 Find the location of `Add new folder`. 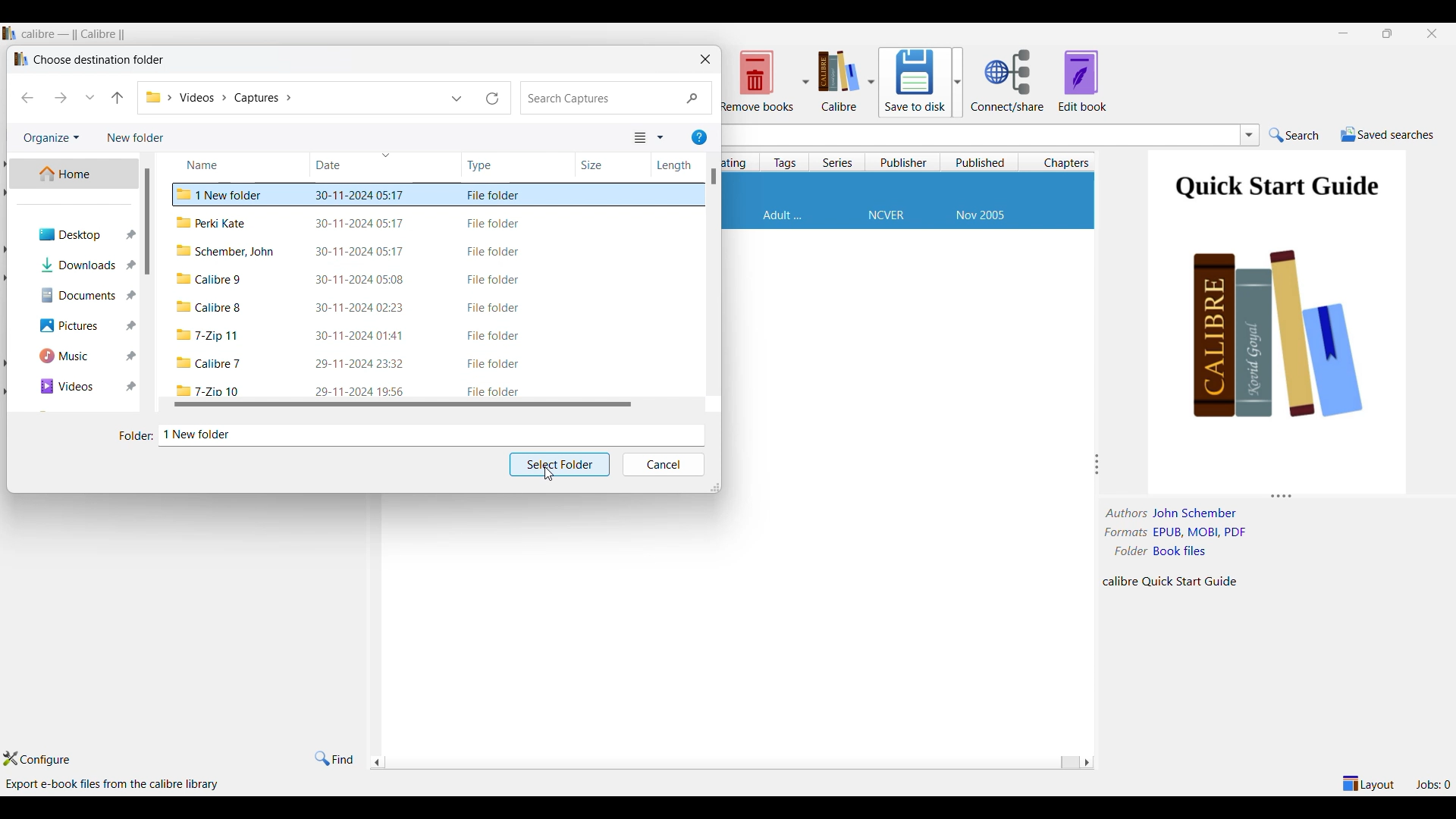

Add new folder is located at coordinates (136, 138).